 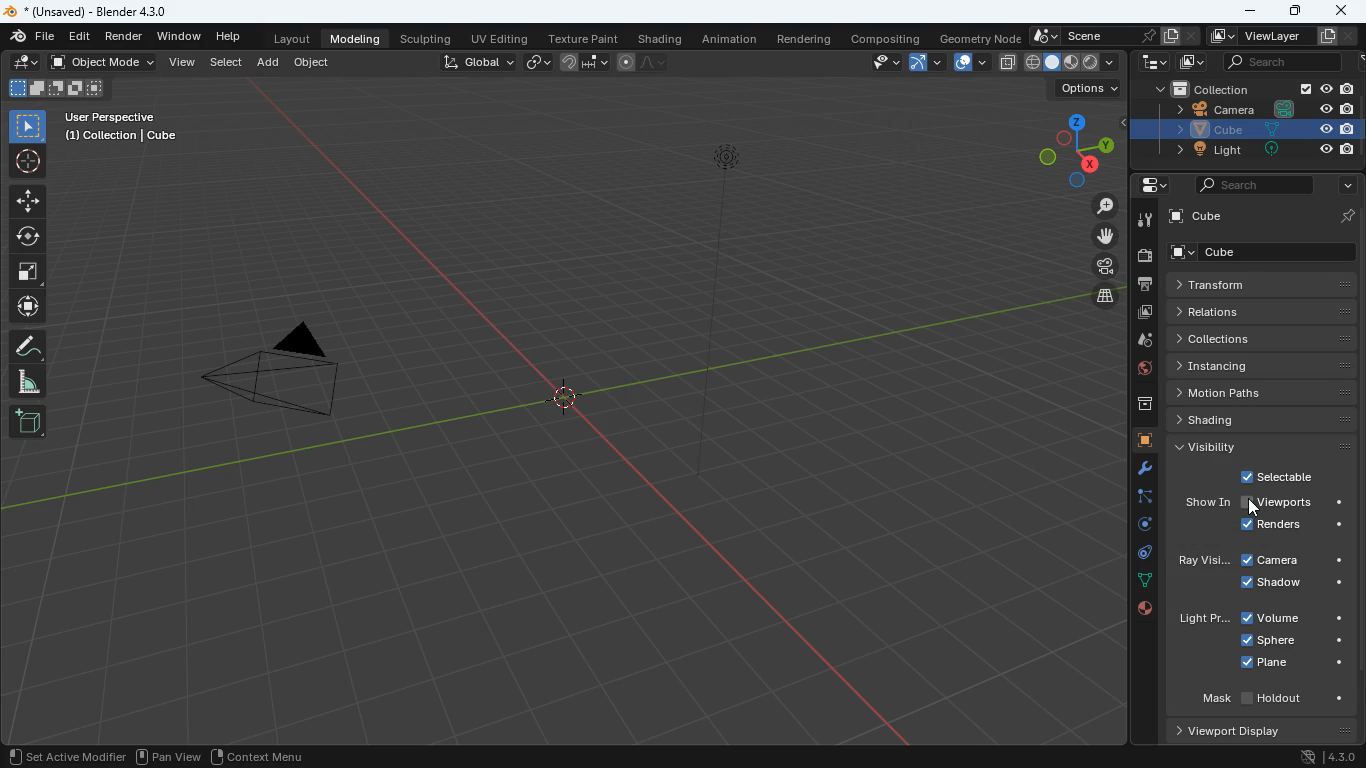 What do you see at coordinates (258, 754) in the screenshot?
I see `context menu` at bounding box center [258, 754].